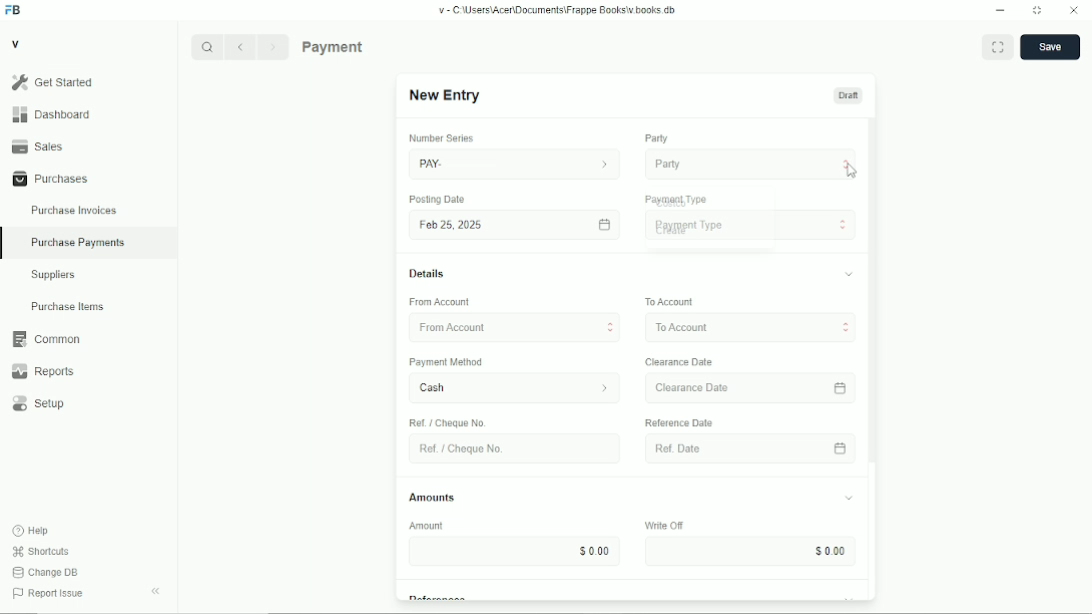 This screenshot has height=614, width=1092. I want to click on cursor, so click(852, 172).